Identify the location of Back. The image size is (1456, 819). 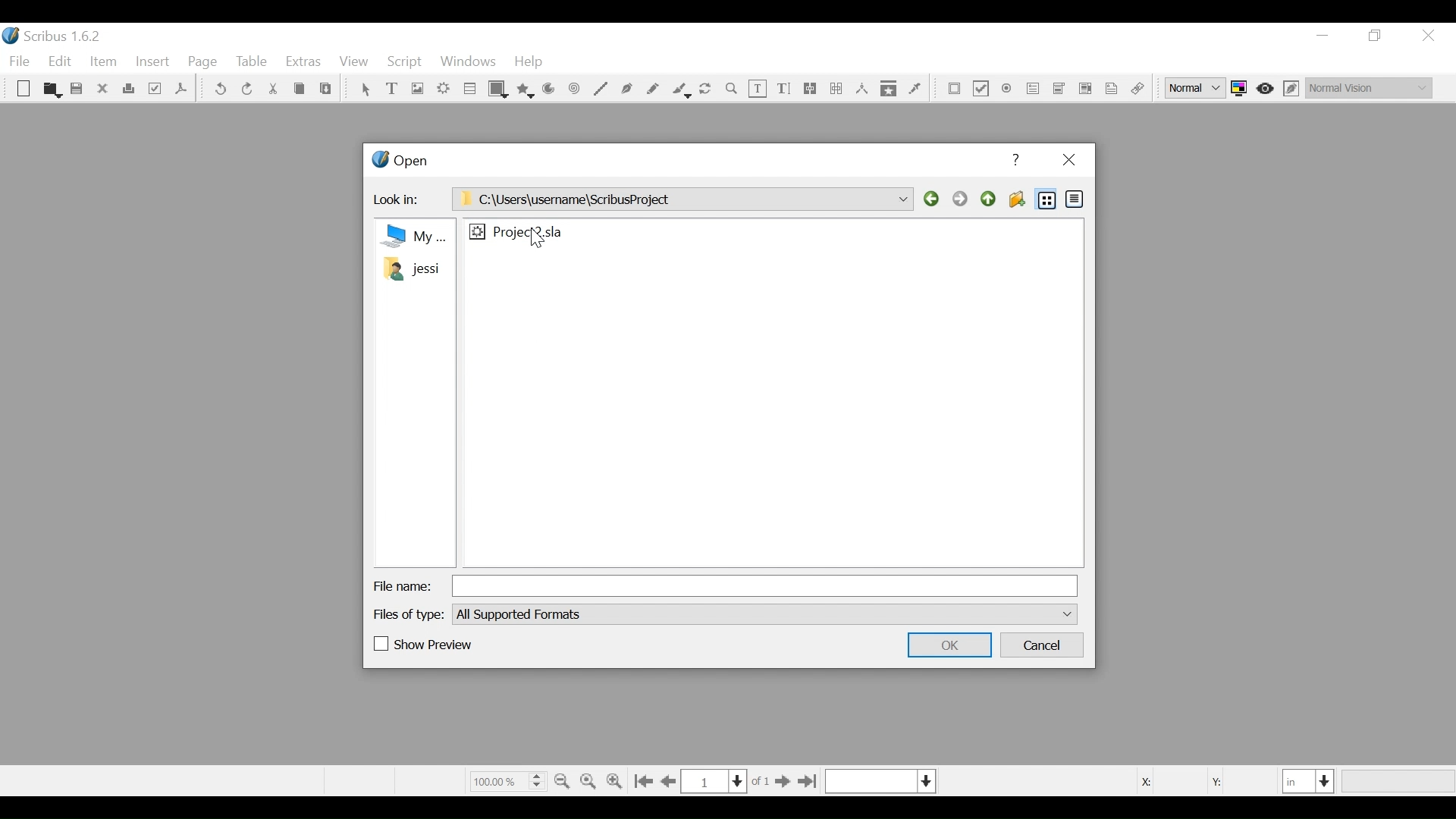
(934, 199).